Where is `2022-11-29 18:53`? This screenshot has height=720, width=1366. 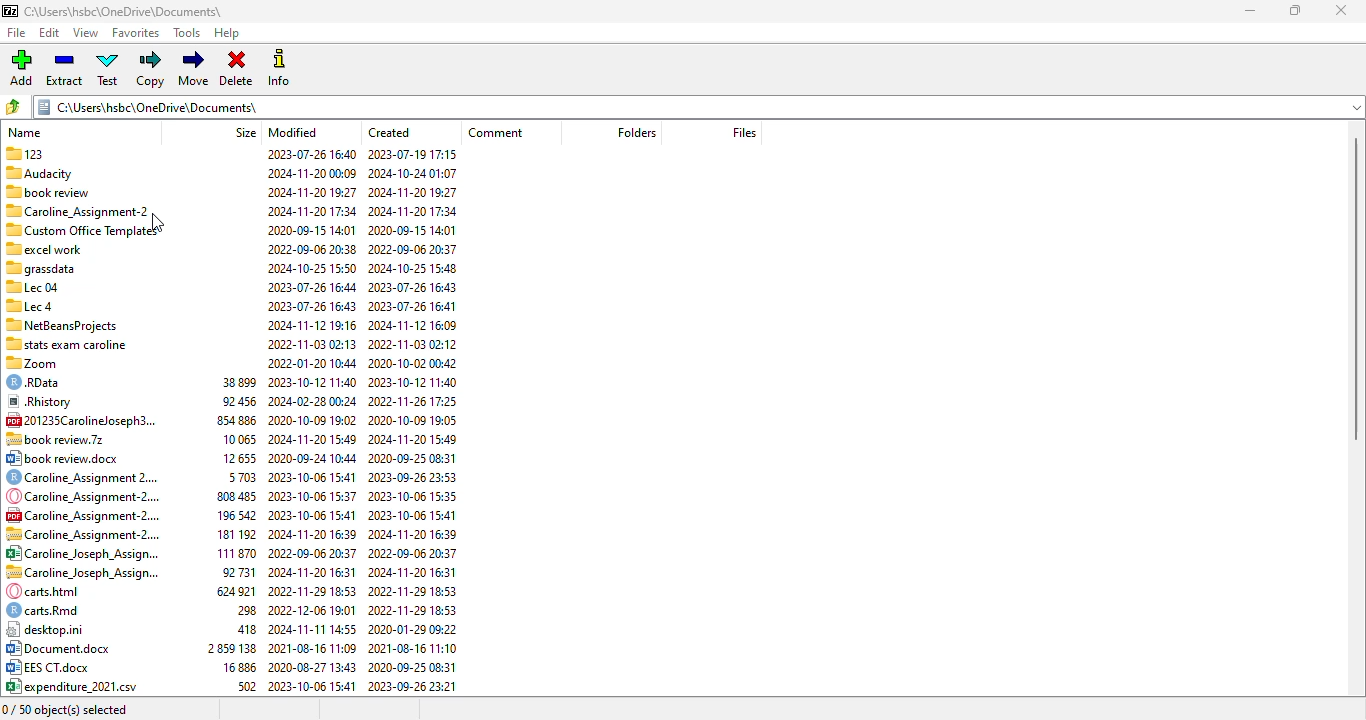 2022-11-29 18:53 is located at coordinates (413, 591).